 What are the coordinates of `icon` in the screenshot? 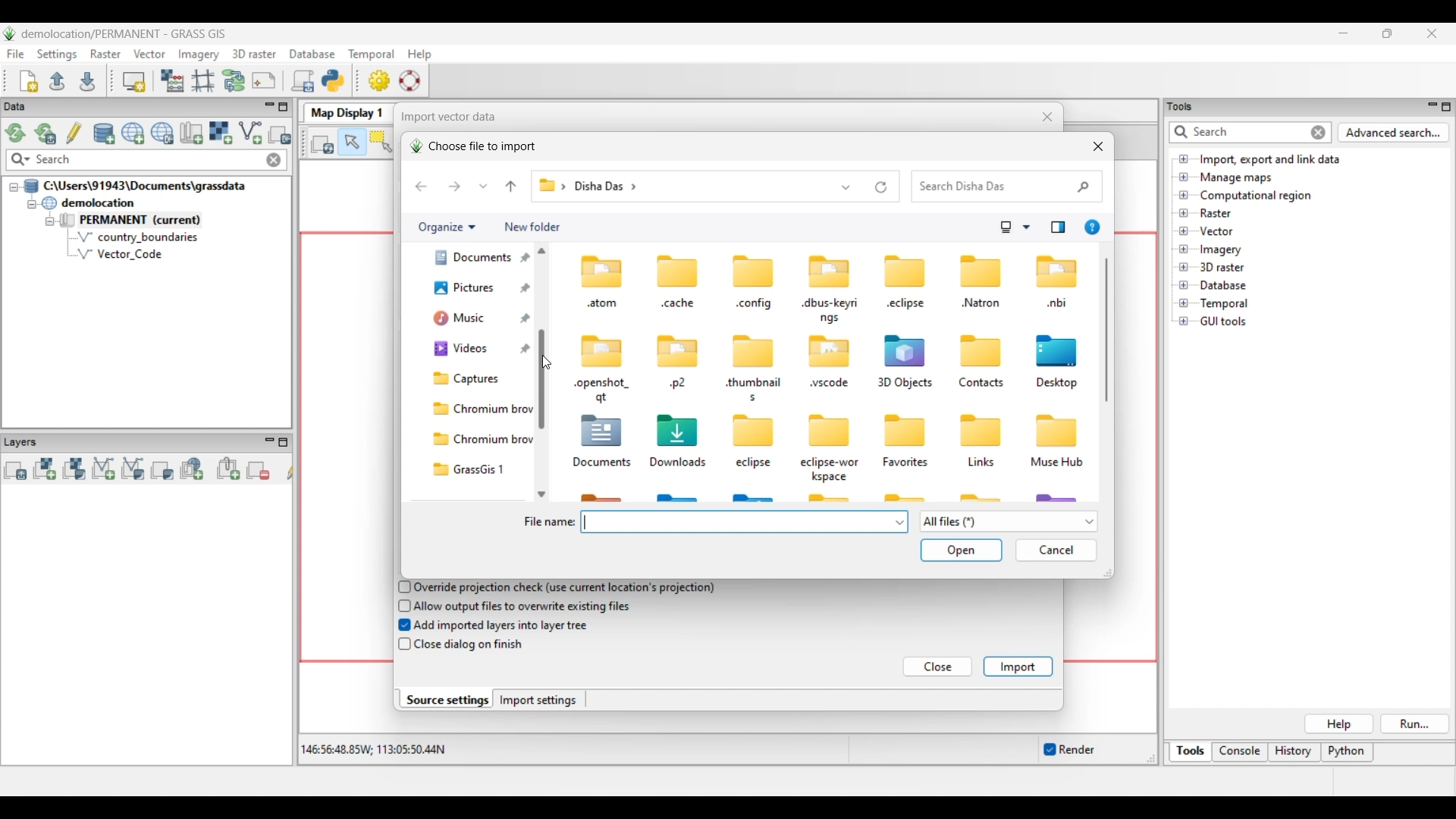 It's located at (603, 431).